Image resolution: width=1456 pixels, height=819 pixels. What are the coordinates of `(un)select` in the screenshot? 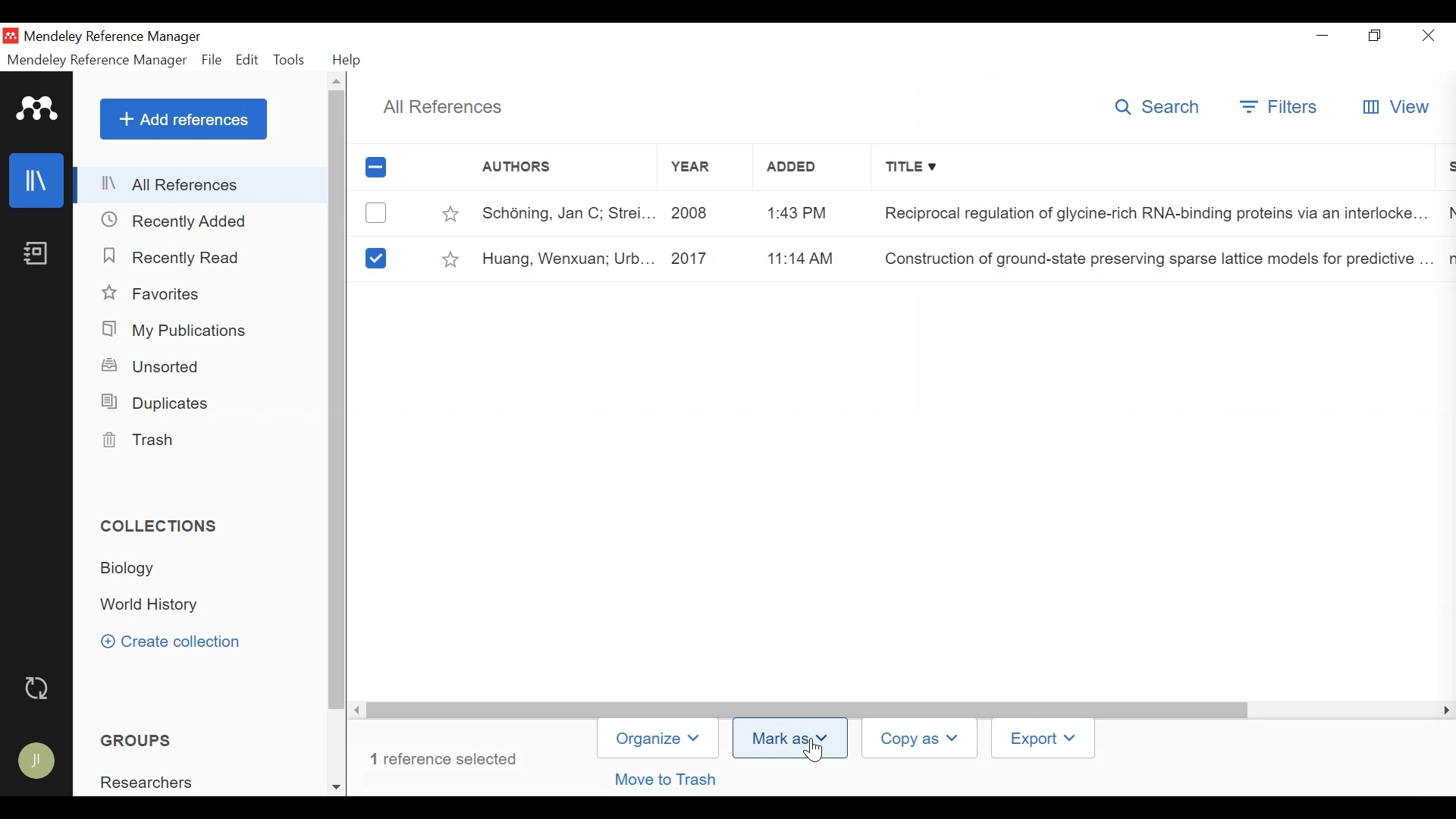 It's located at (375, 213).